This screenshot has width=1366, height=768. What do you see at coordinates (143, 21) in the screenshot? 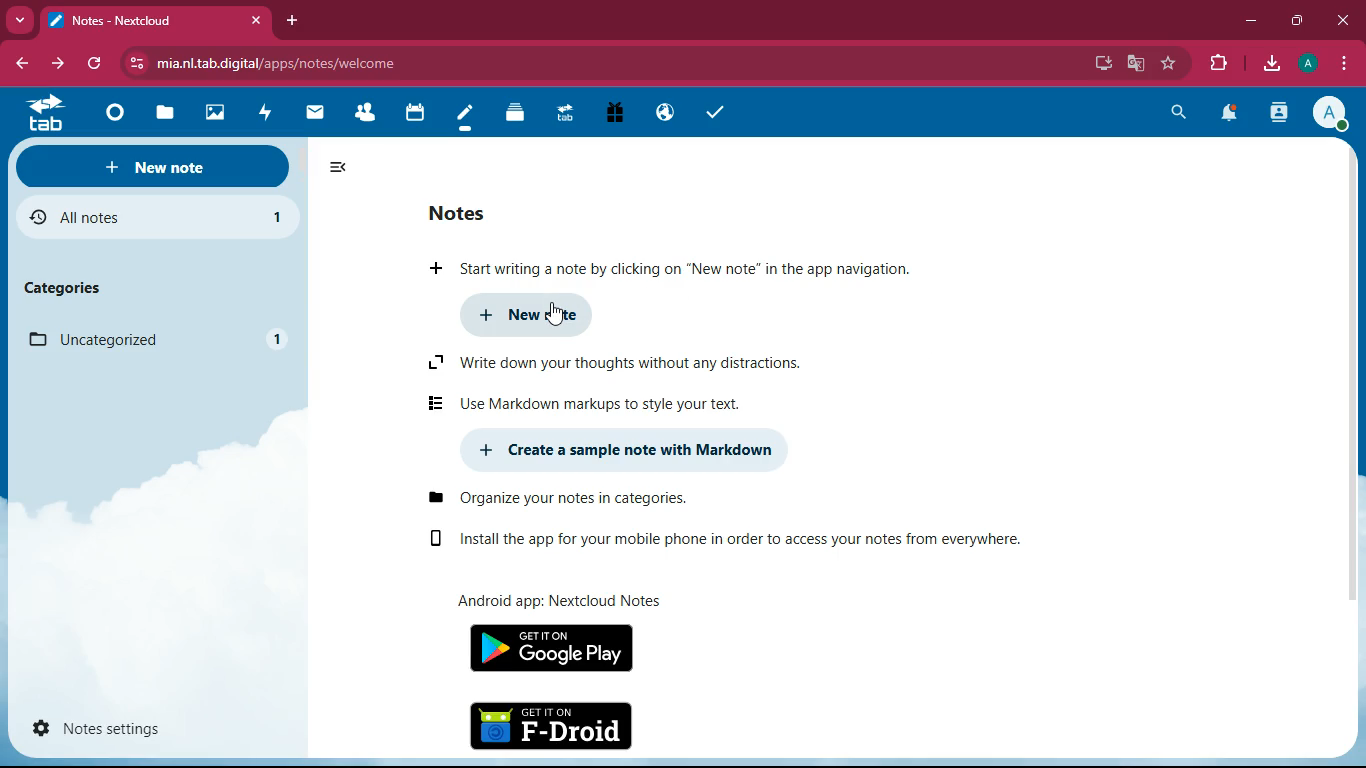
I see `tab` at bounding box center [143, 21].